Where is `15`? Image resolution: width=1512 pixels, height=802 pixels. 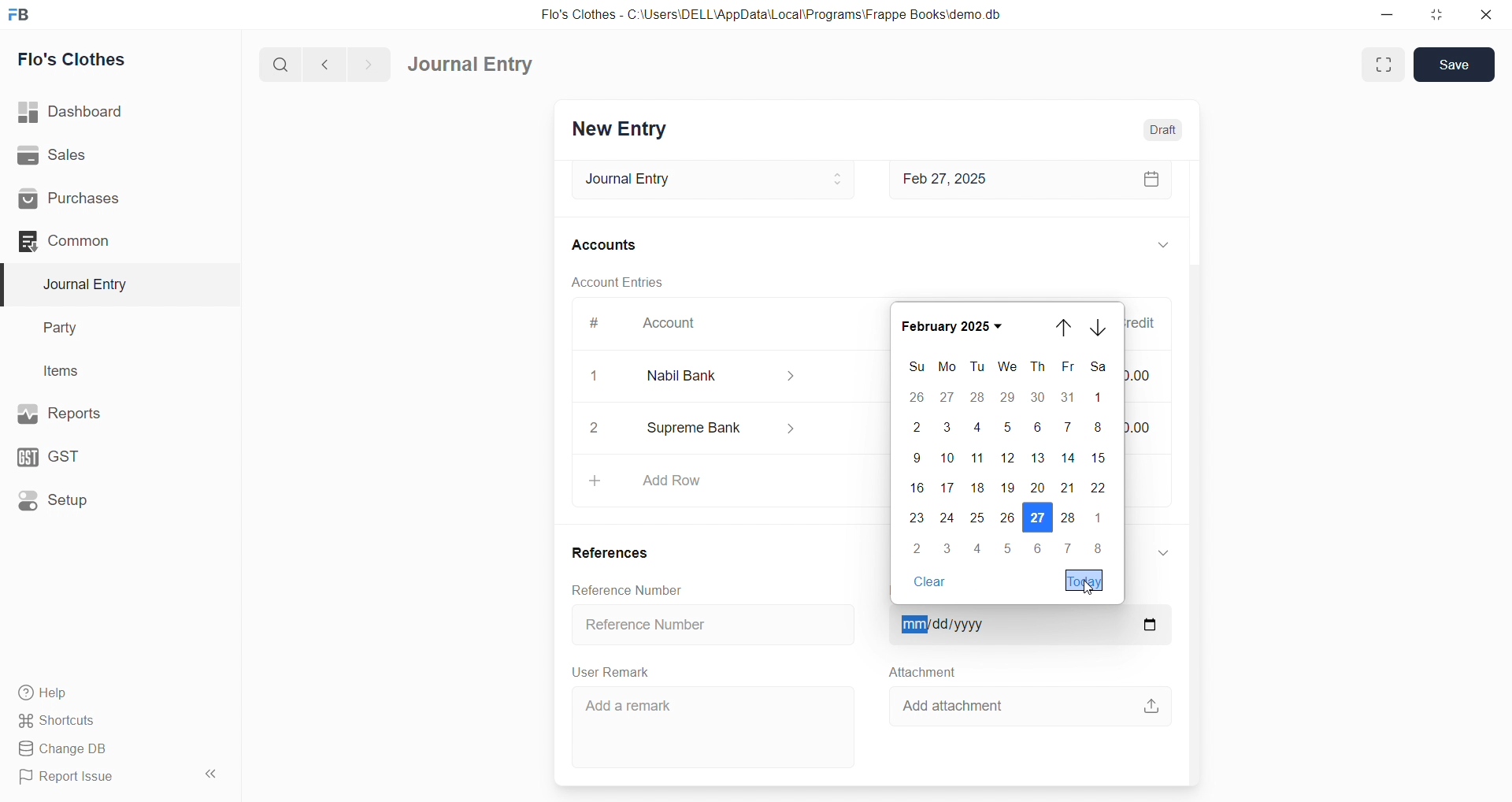
15 is located at coordinates (1097, 459).